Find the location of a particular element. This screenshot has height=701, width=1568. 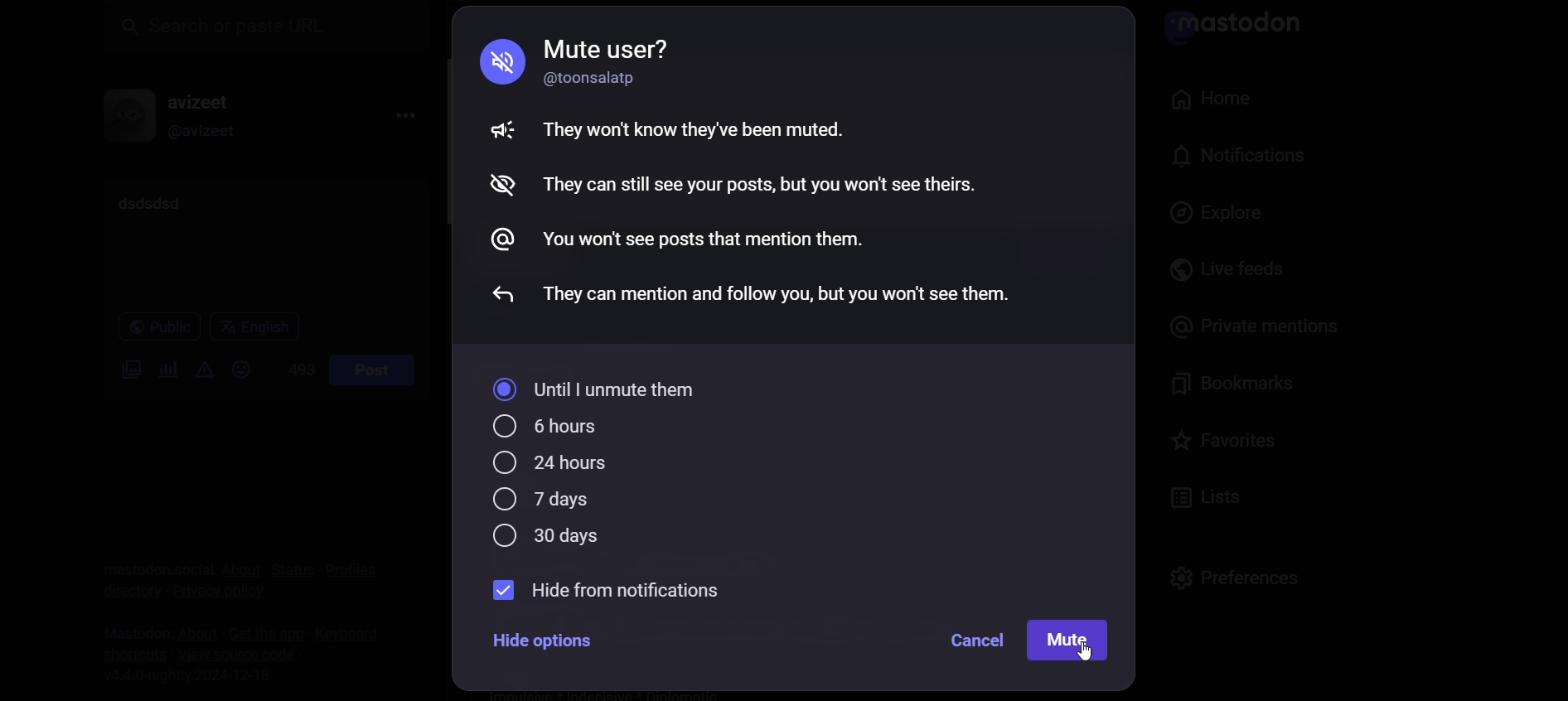

notification is located at coordinates (1228, 162).